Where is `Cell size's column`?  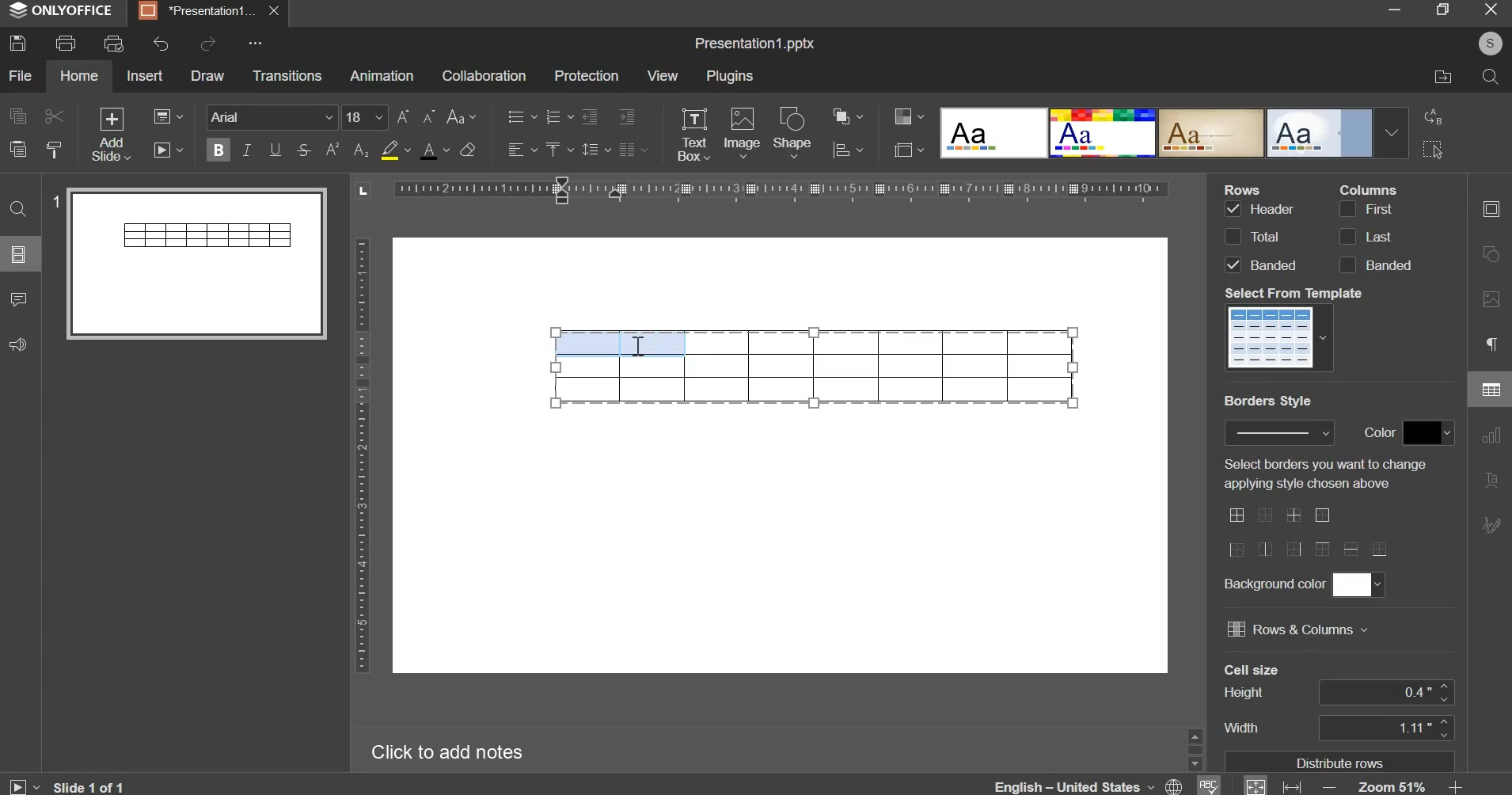 Cell size's column is located at coordinates (1252, 700).